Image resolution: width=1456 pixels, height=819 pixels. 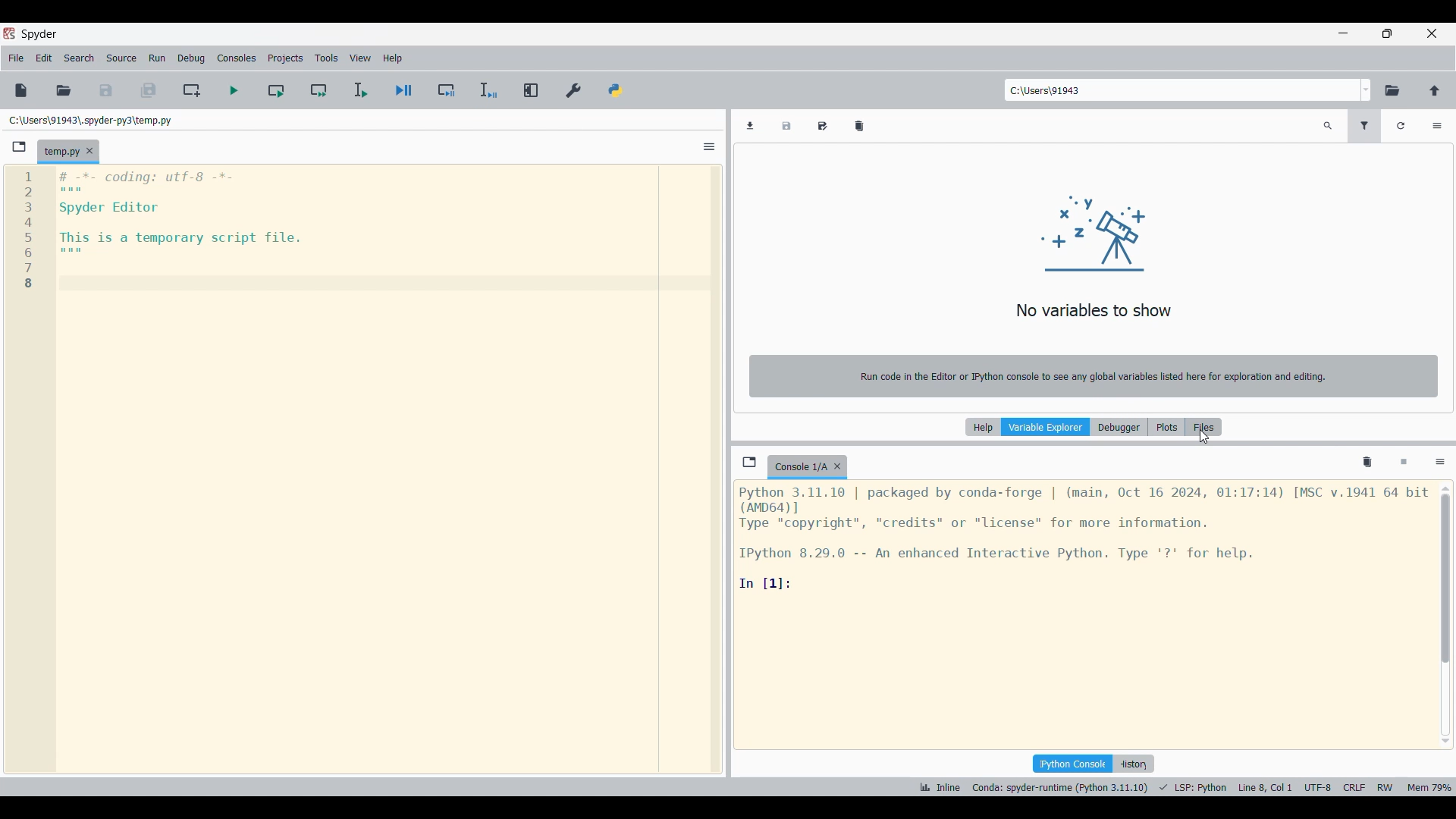 What do you see at coordinates (21, 90) in the screenshot?
I see `New file` at bounding box center [21, 90].